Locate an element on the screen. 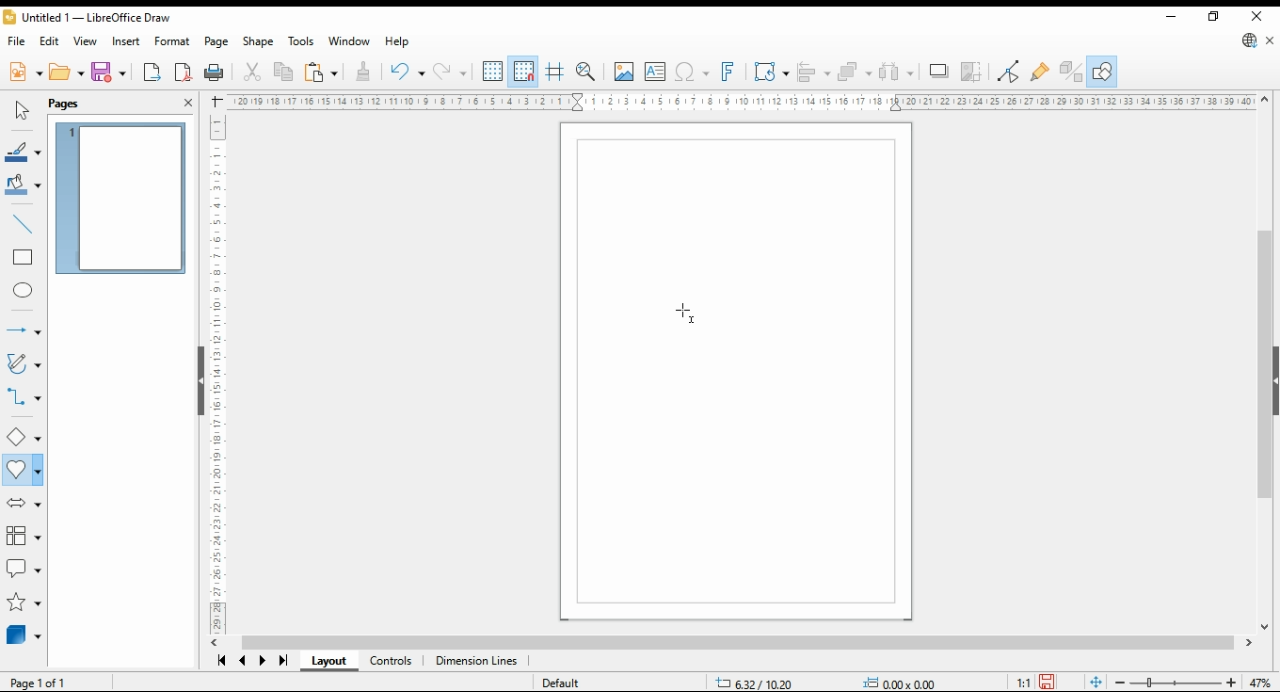  helplines while moving is located at coordinates (556, 72).